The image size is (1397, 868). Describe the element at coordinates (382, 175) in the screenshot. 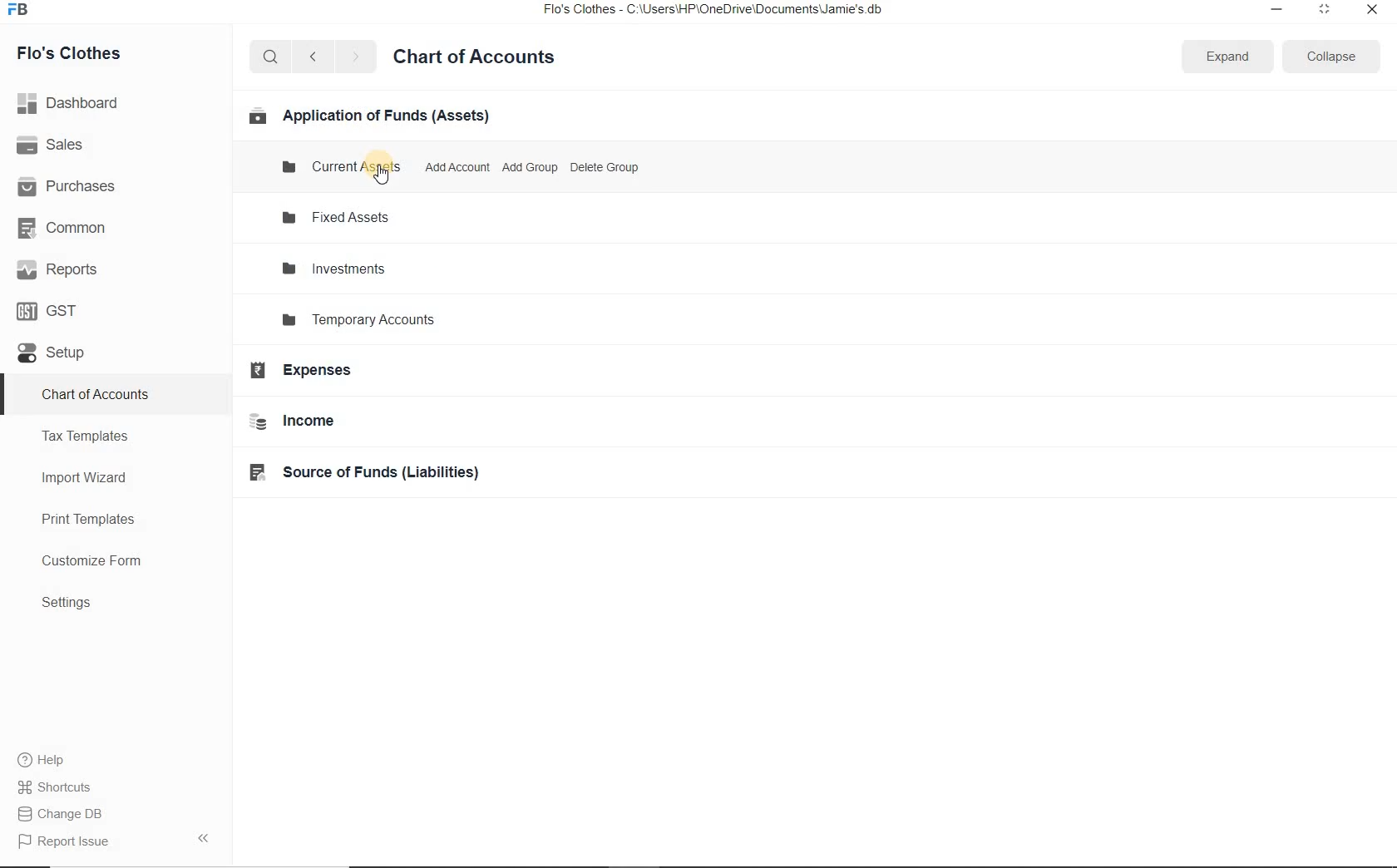

I see `cursor` at that location.